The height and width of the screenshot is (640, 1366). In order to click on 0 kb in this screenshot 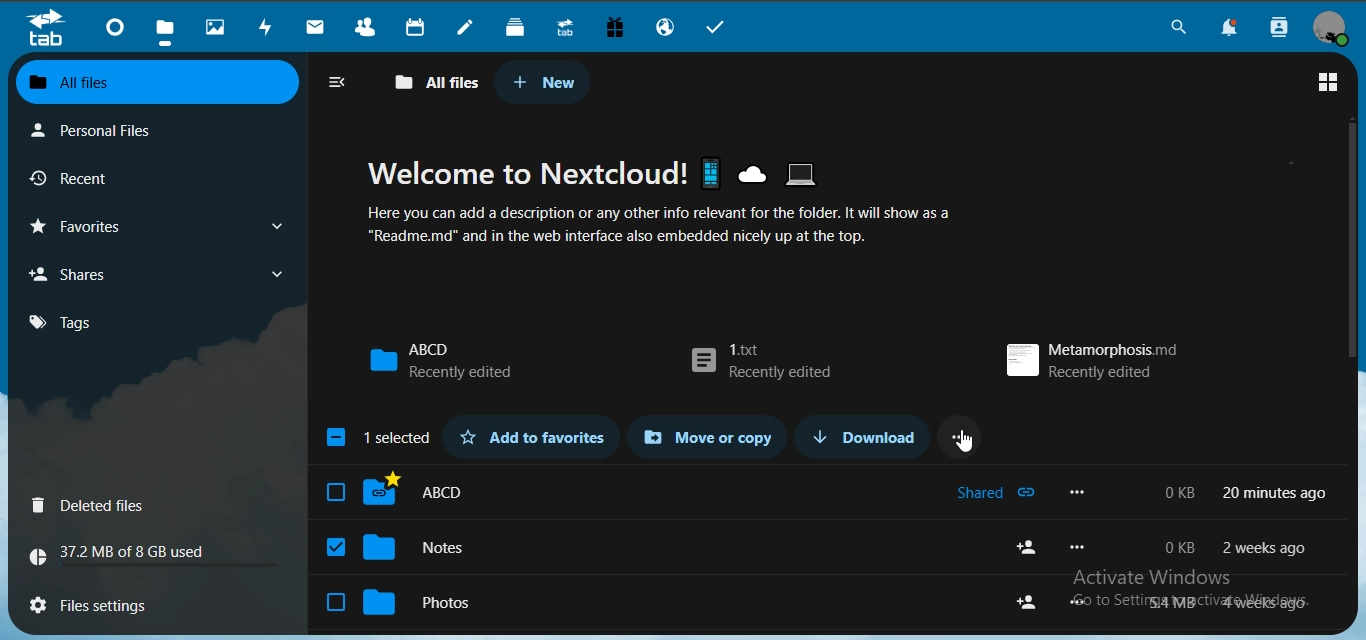, I will do `click(1181, 491)`.